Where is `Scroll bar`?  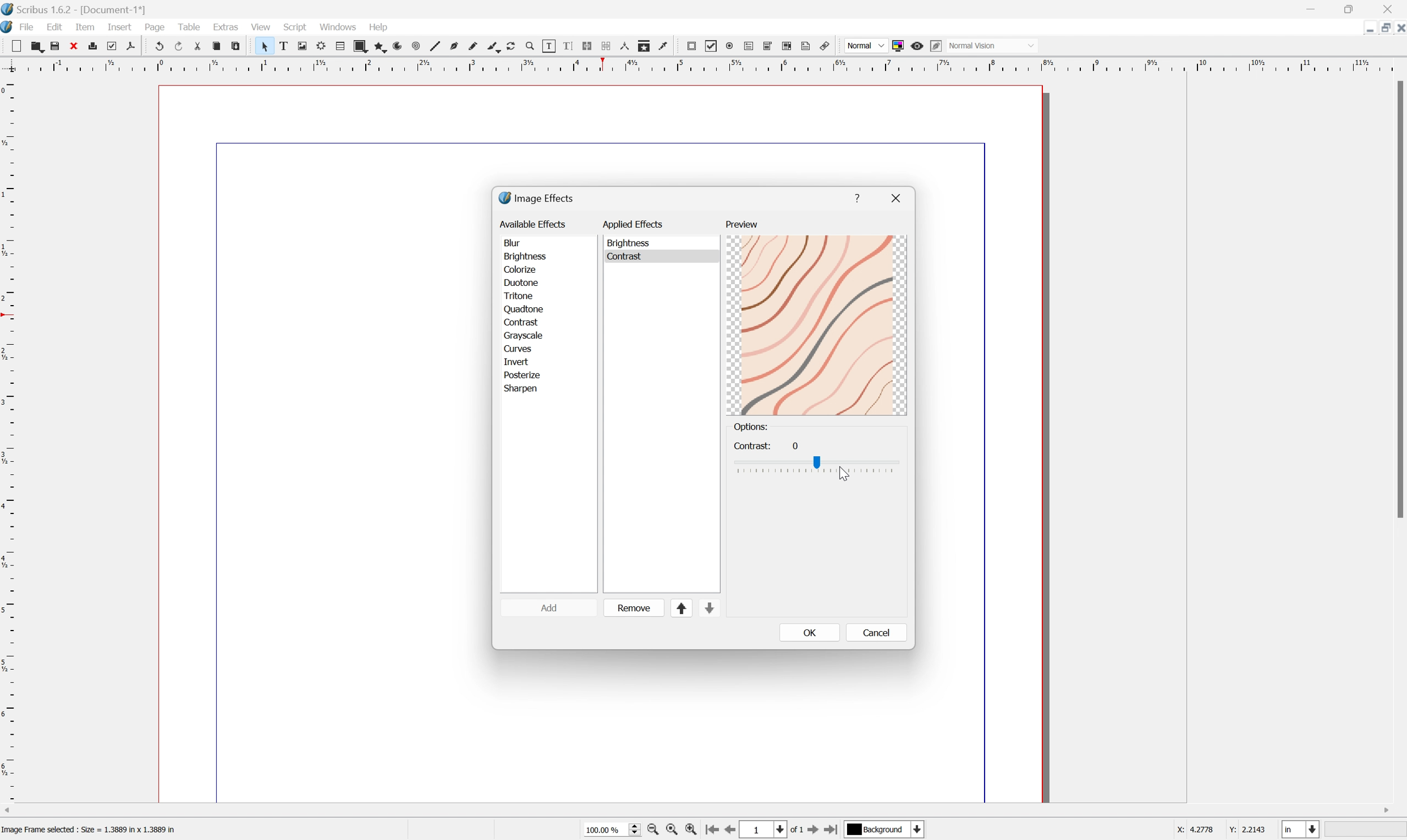 Scroll bar is located at coordinates (1398, 299).